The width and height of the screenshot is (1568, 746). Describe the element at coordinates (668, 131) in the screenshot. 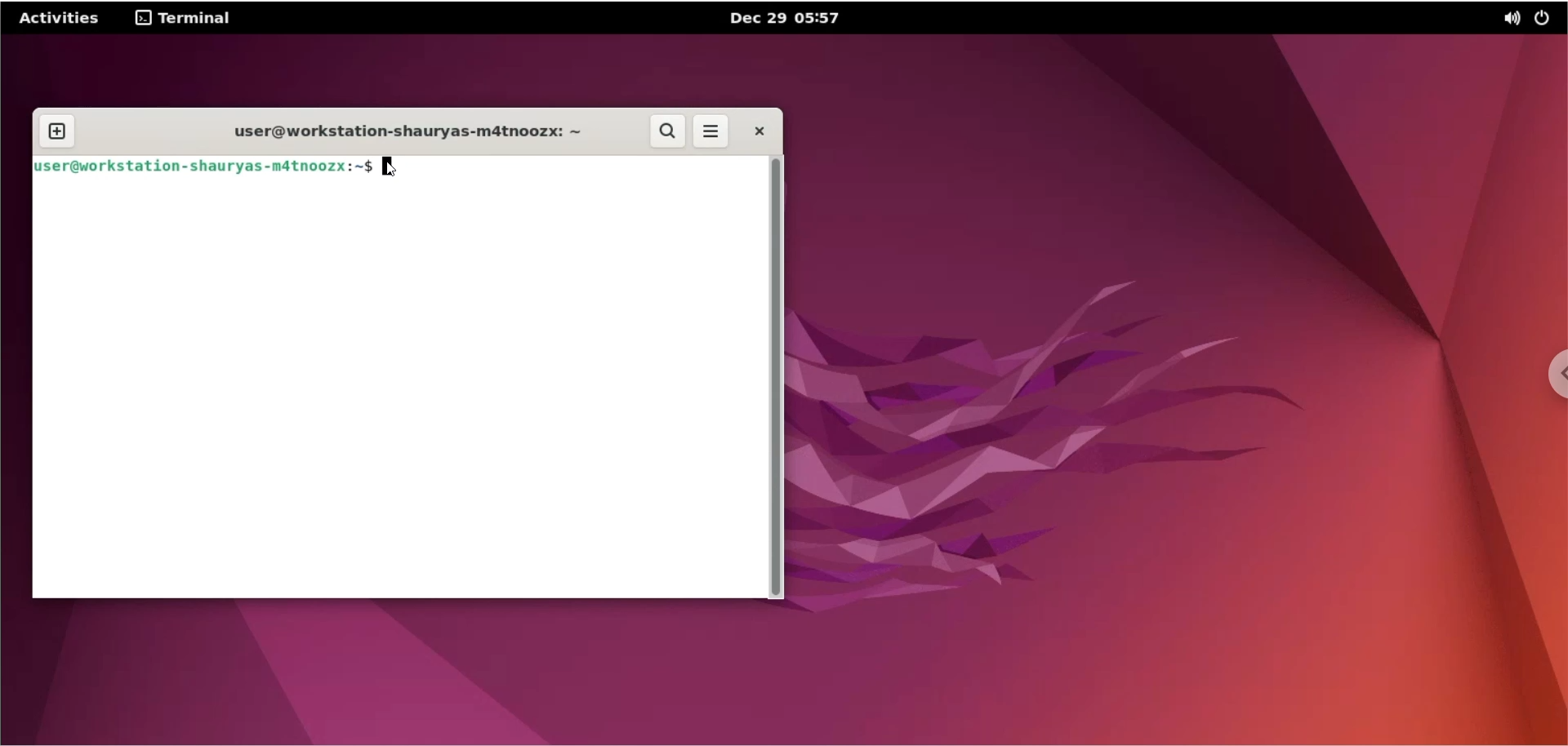

I see `search ` at that location.